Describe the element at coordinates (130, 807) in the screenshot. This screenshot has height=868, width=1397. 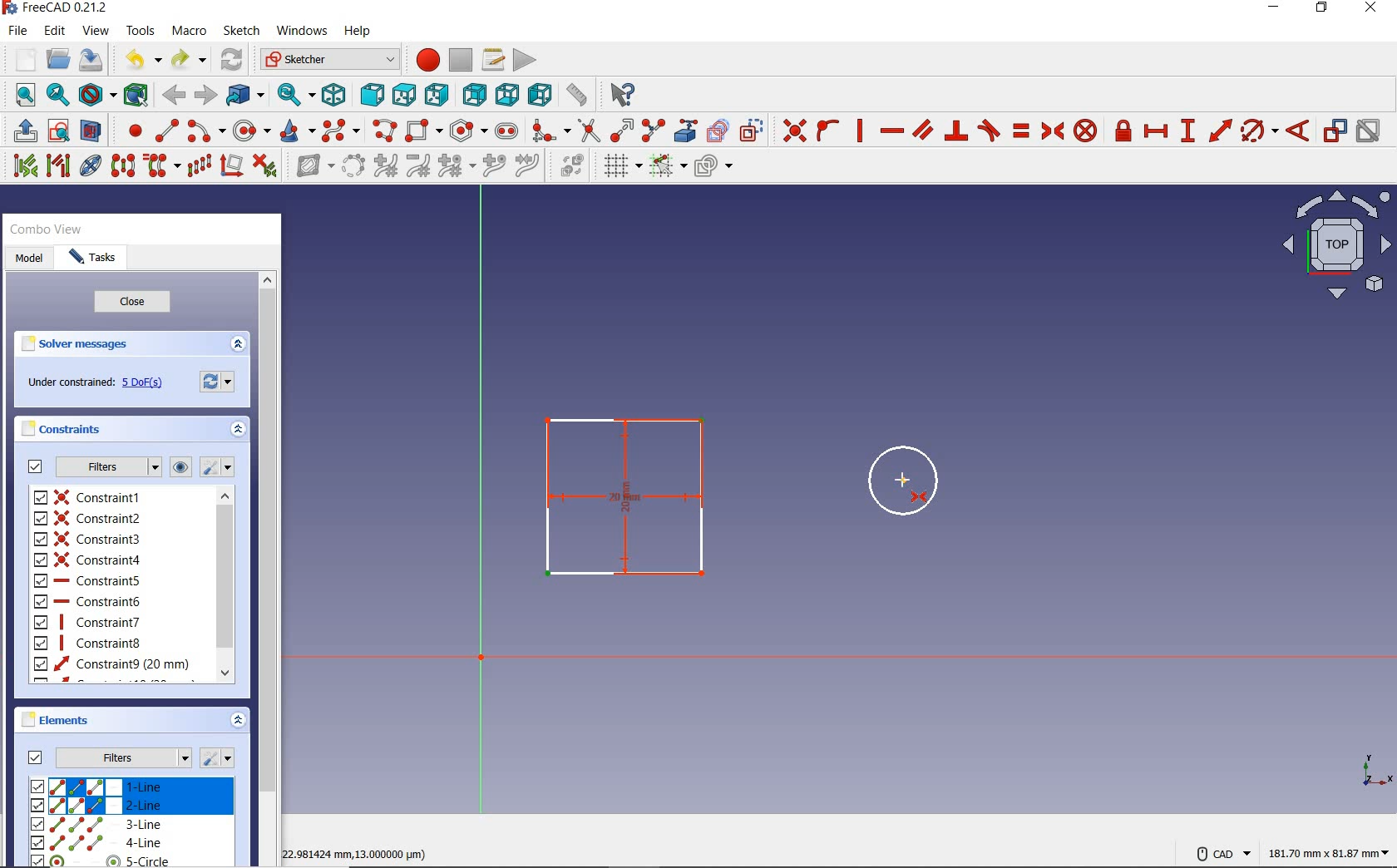
I see `2-LINE` at that location.